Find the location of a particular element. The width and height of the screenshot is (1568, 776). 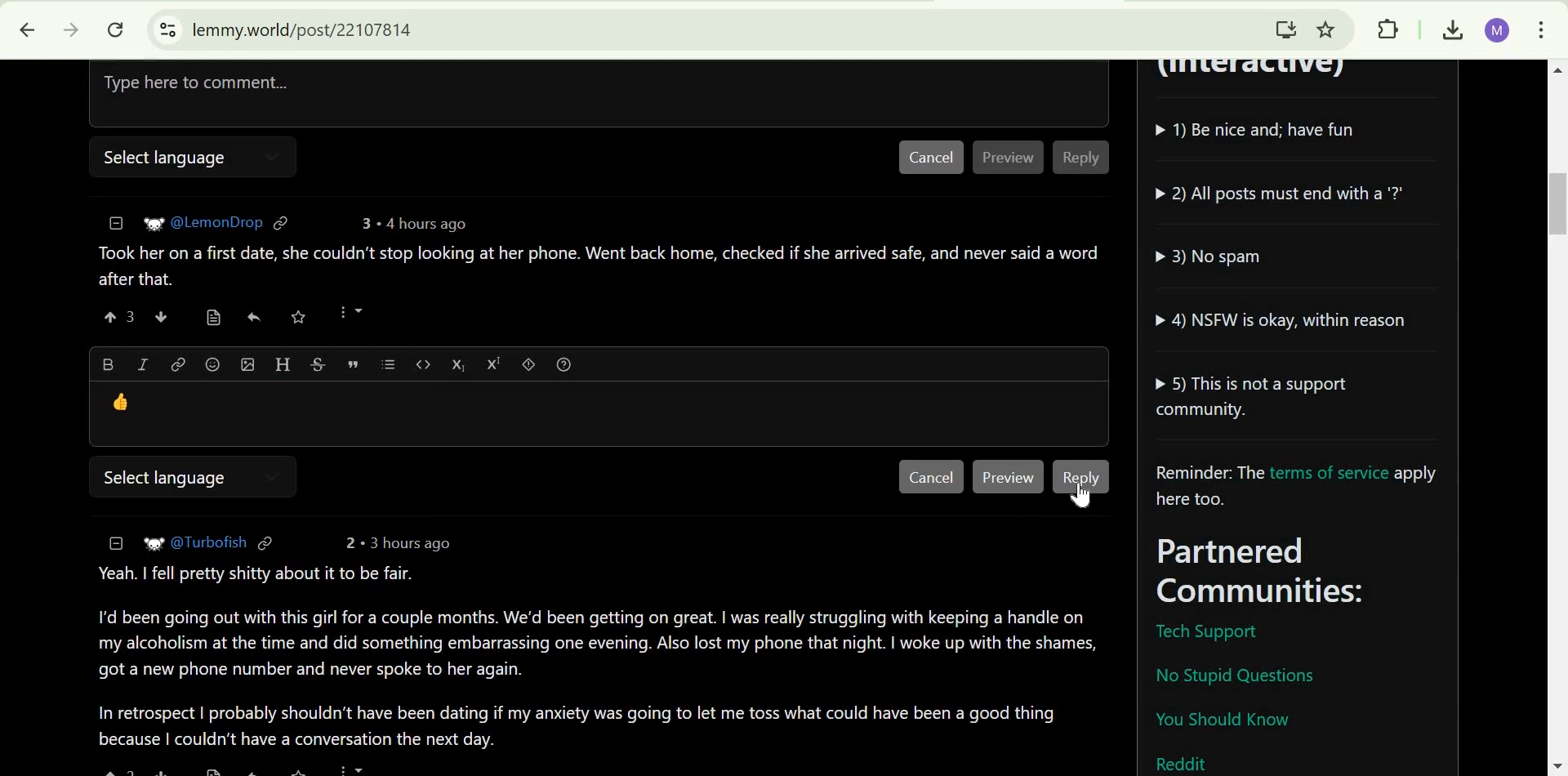

save is located at coordinates (299, 316).